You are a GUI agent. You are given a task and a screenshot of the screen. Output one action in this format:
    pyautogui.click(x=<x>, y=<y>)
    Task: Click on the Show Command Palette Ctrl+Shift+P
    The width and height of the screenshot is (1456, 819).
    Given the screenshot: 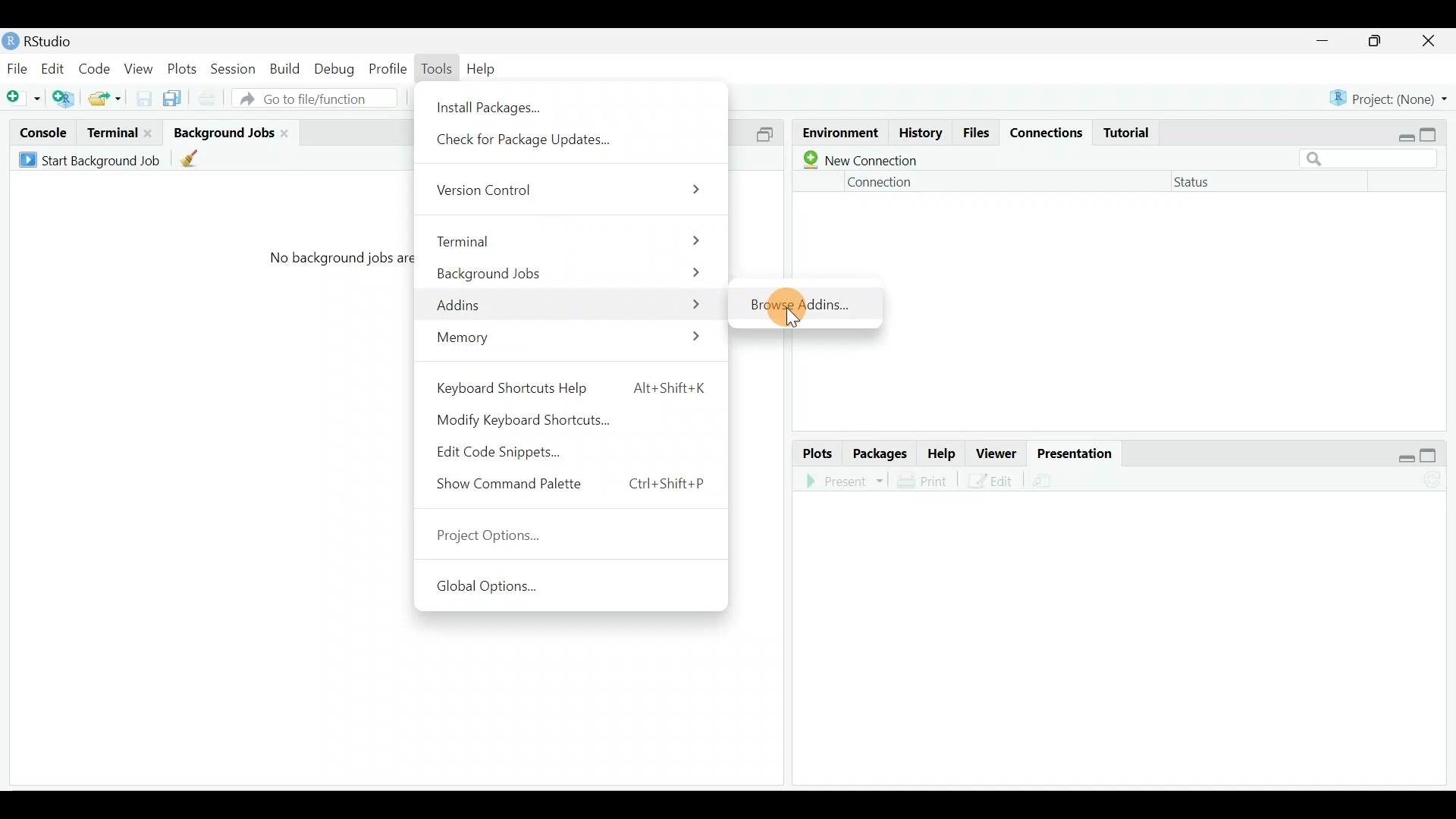 What is the action you would take?
    pyautogui.click(x=573, y=488)
    